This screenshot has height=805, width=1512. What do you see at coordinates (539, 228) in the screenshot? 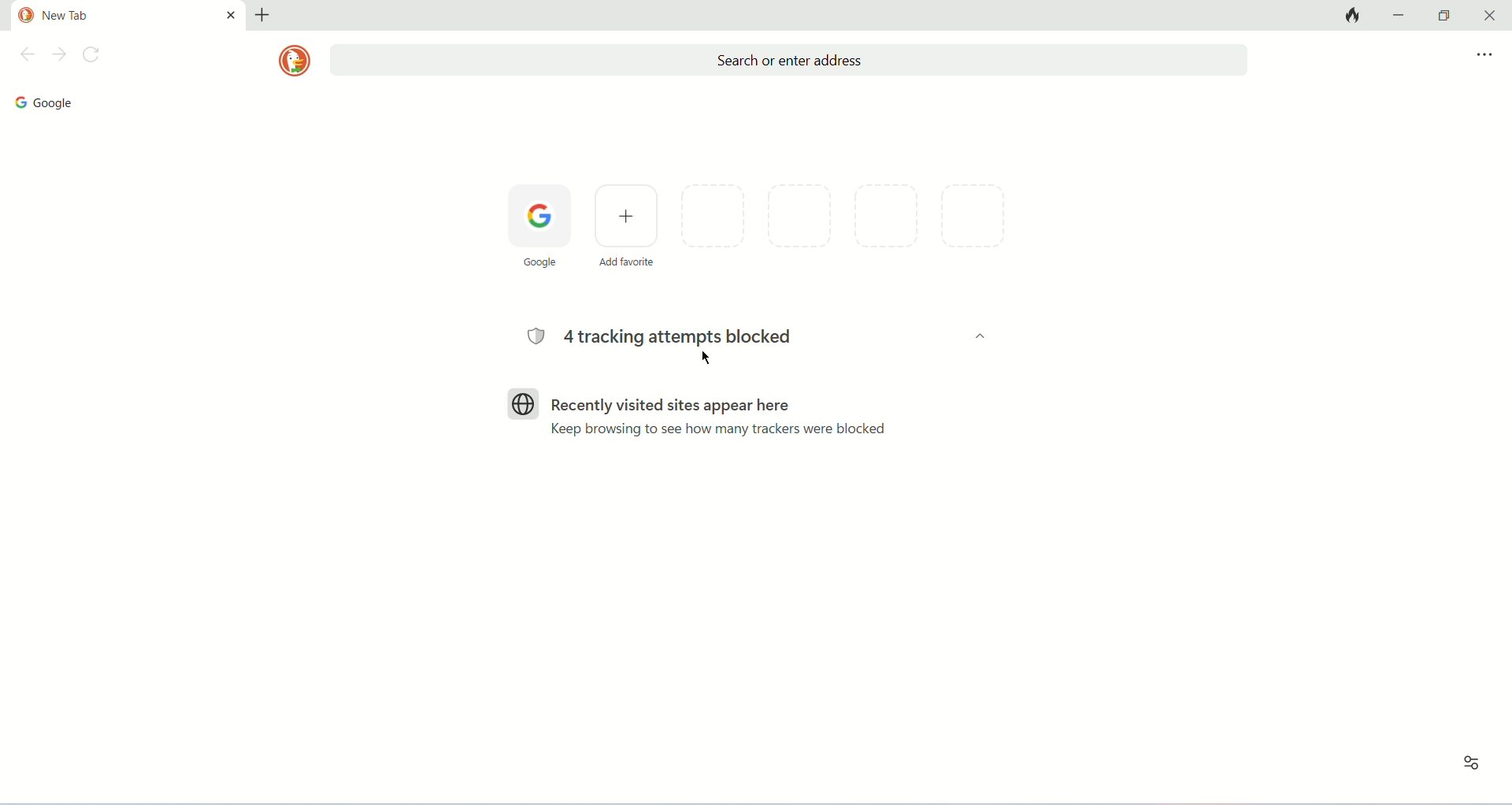
I see `"google" bookmark added` at bounding box center [539, 228].